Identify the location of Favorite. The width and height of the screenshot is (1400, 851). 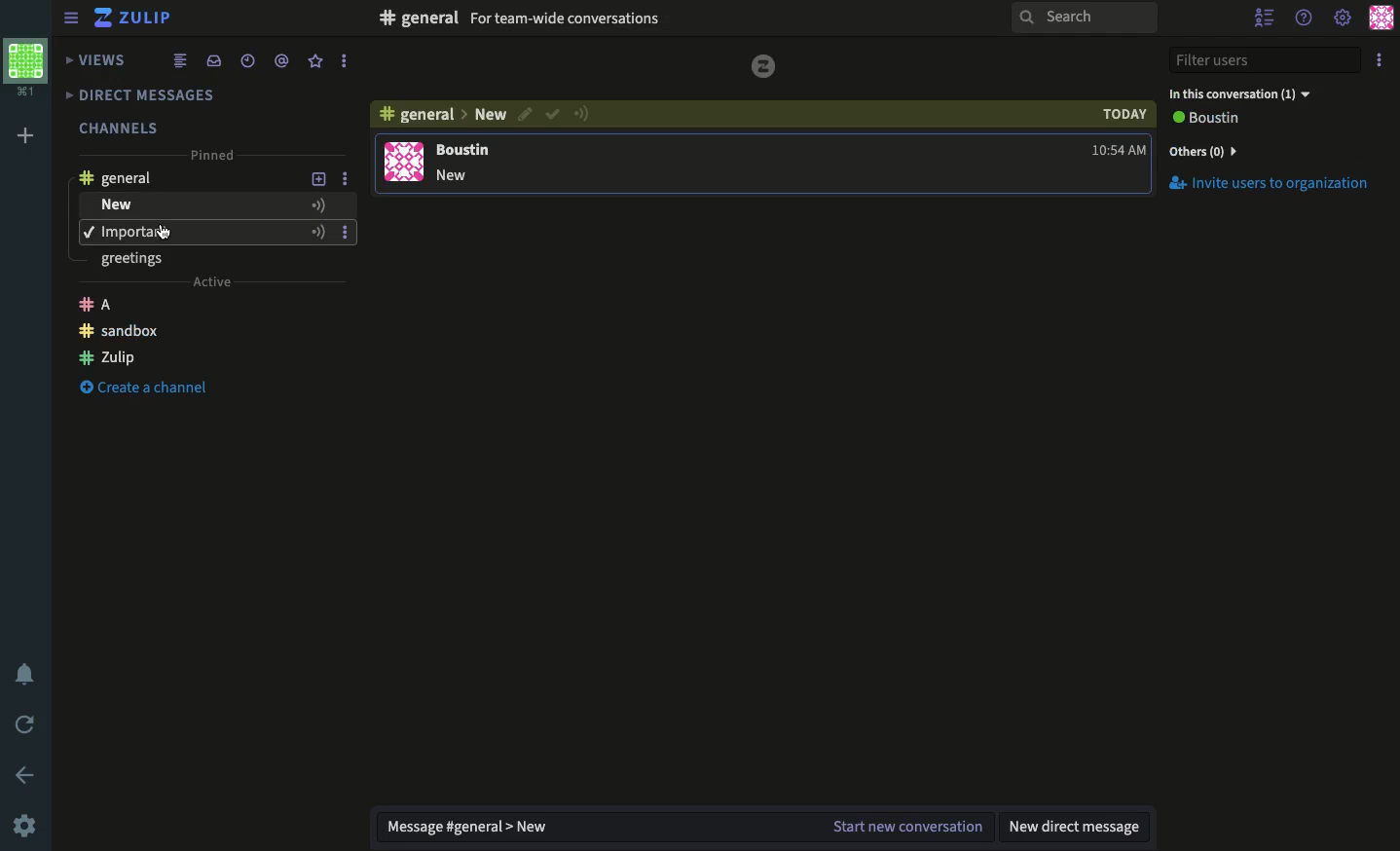
(316, 61).